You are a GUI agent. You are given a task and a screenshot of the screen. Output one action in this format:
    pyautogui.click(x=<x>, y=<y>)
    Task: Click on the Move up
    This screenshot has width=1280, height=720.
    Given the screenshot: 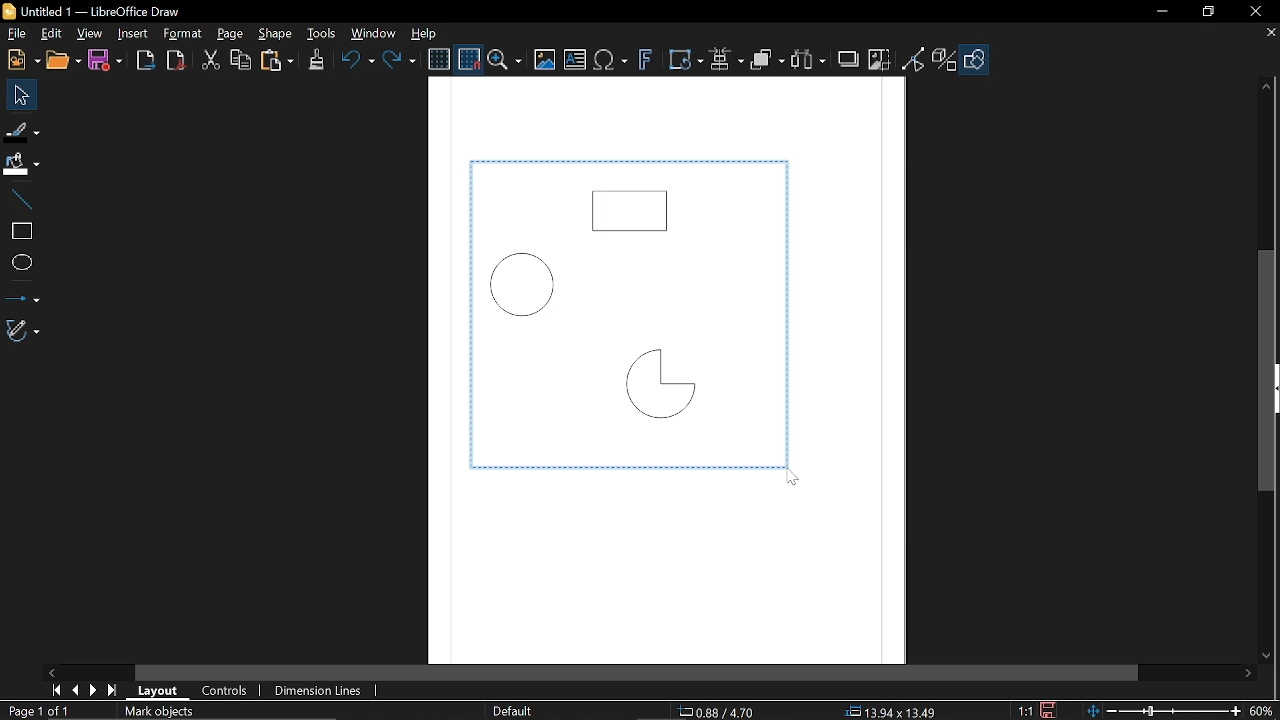 What is the action you would take?
    pyautogui.click(x=1268, y=84)
    